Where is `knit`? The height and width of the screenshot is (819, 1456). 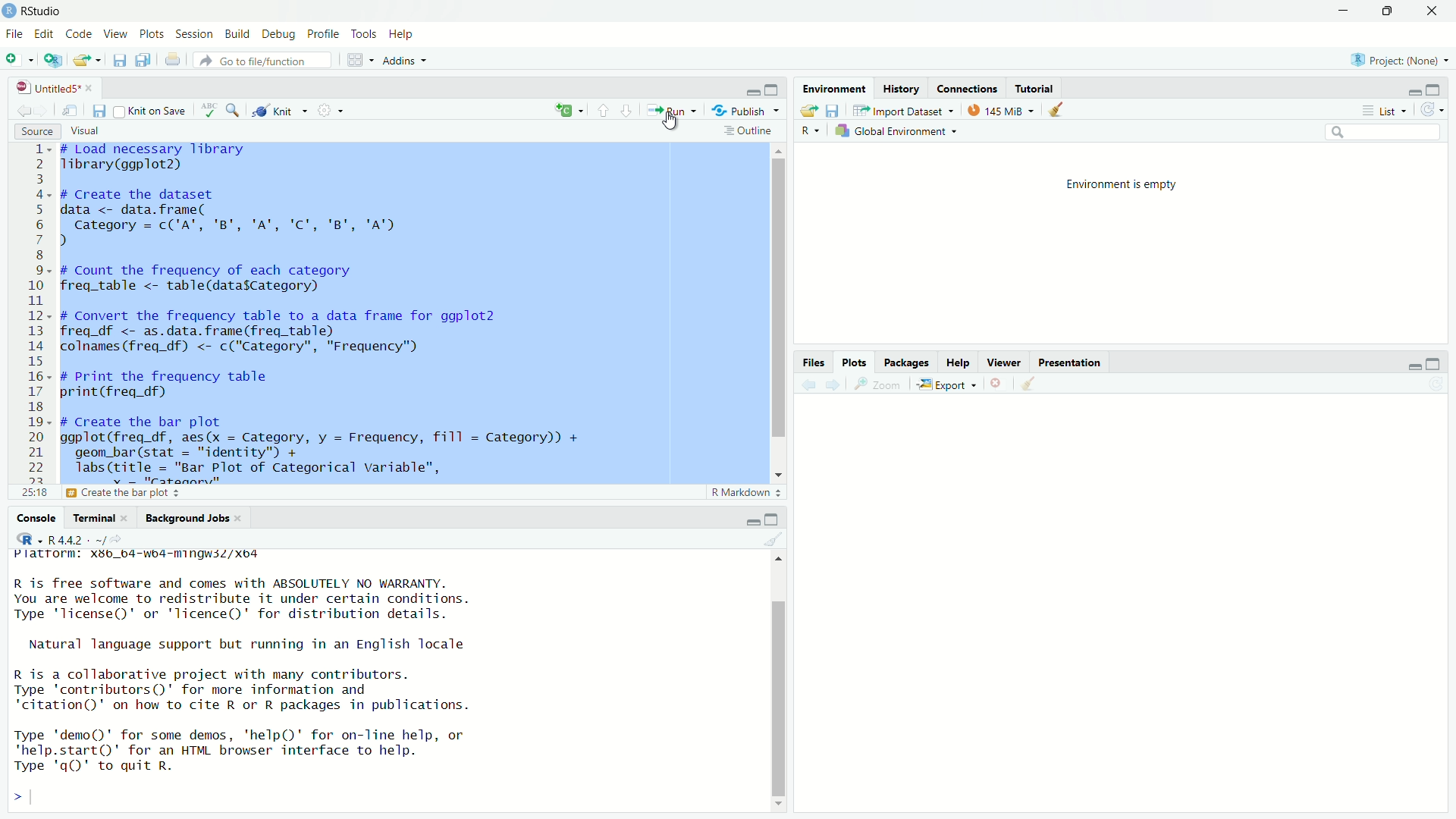 knit is located at coordinates (279, 111).